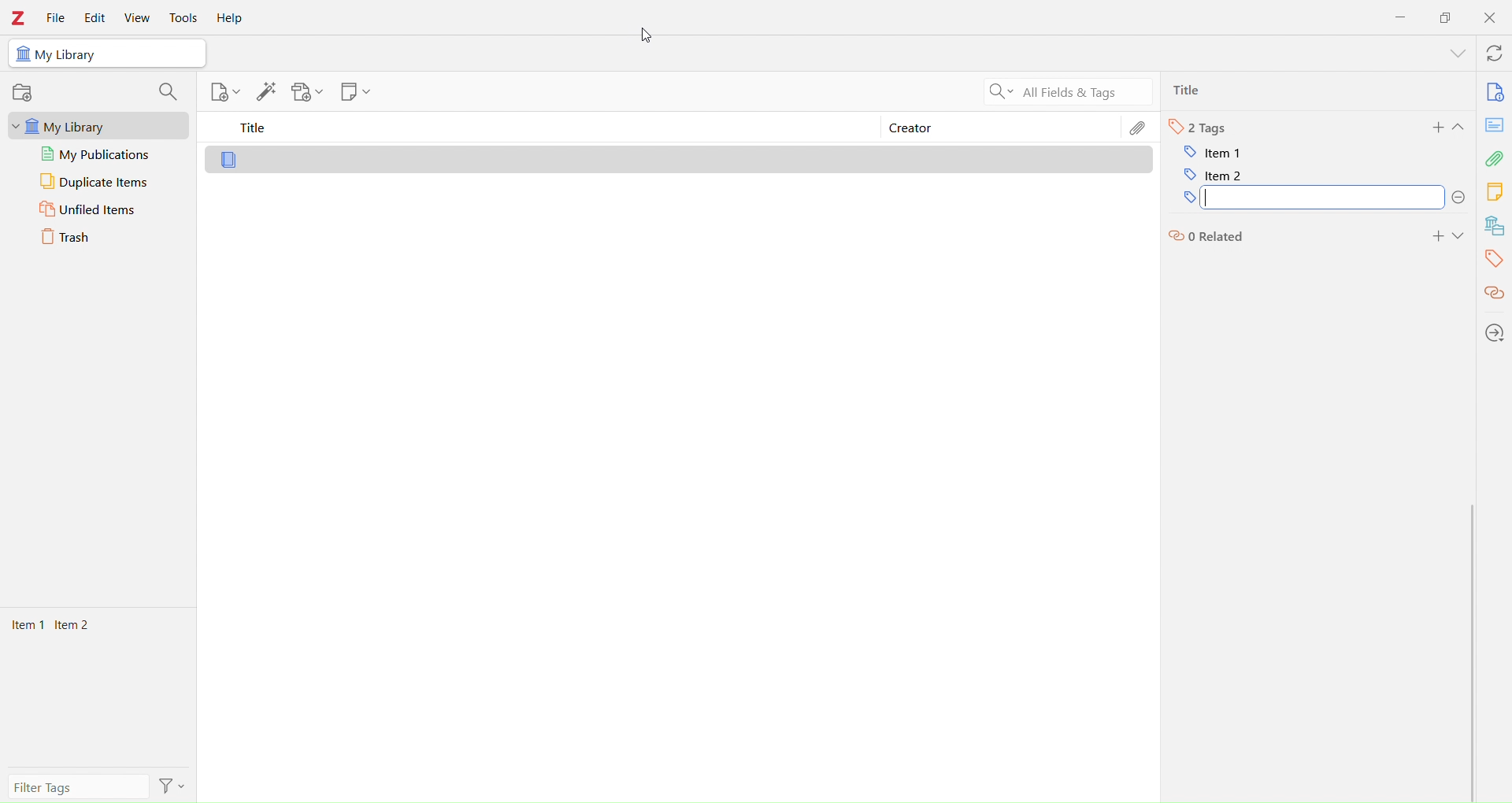 The width and height of the screenshot is (1512, 803). I want to click on Edit, so click(93, 14).